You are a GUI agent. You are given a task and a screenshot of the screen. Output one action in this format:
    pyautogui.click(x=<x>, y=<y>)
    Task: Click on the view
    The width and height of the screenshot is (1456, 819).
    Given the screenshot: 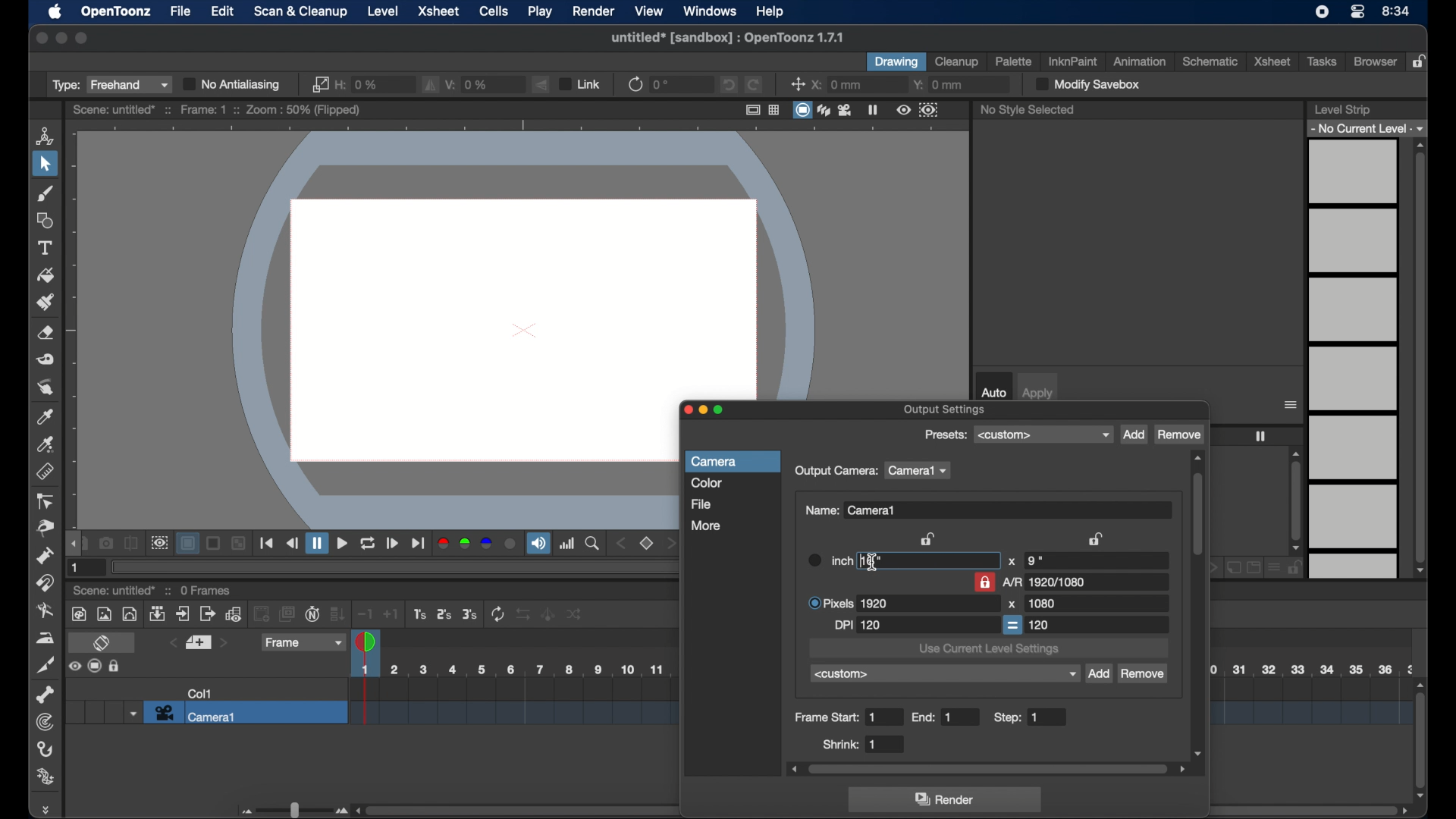 What is the action you would take?
    pyautogui.click(x=649, y=10)
    